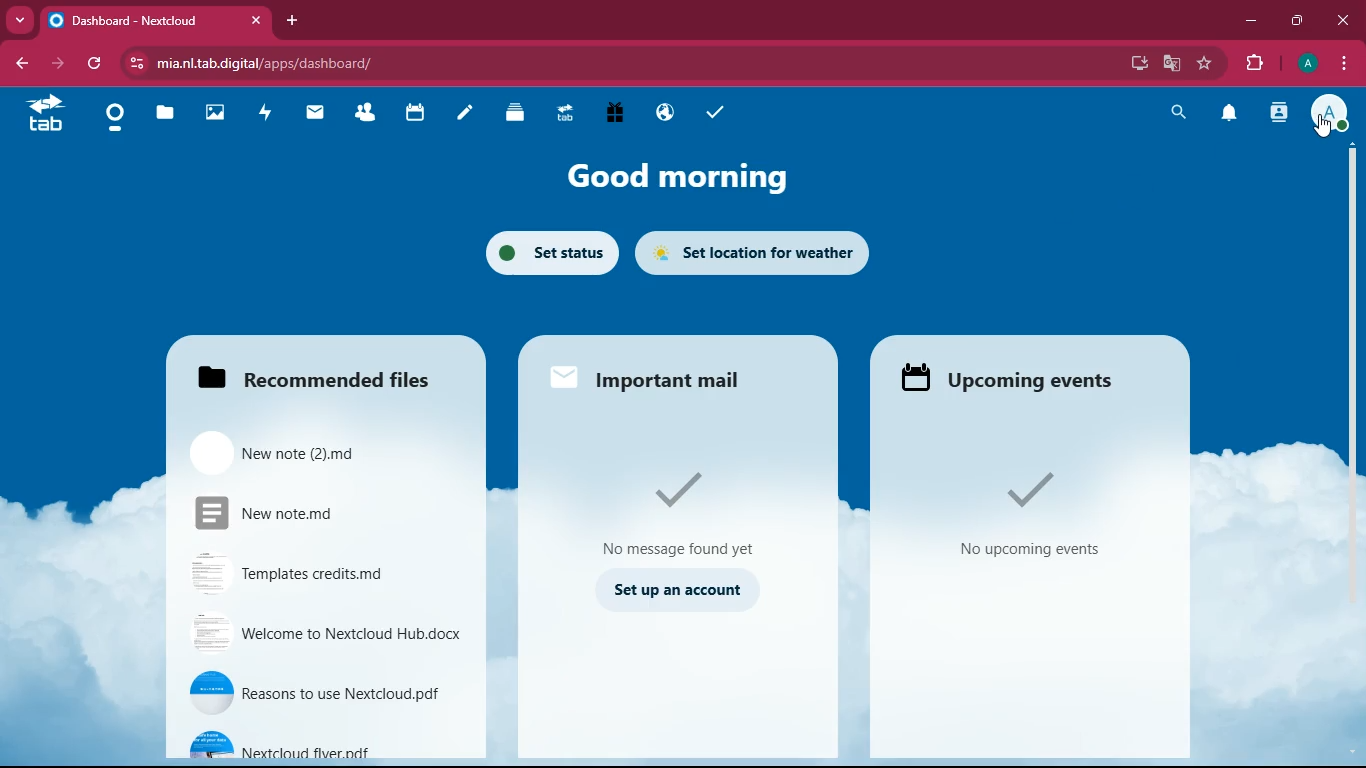 This screenshot has width=1366, height=768. Describe the element at coordinates (1295, 22) in the screenshot. I see `maximize` at that location.